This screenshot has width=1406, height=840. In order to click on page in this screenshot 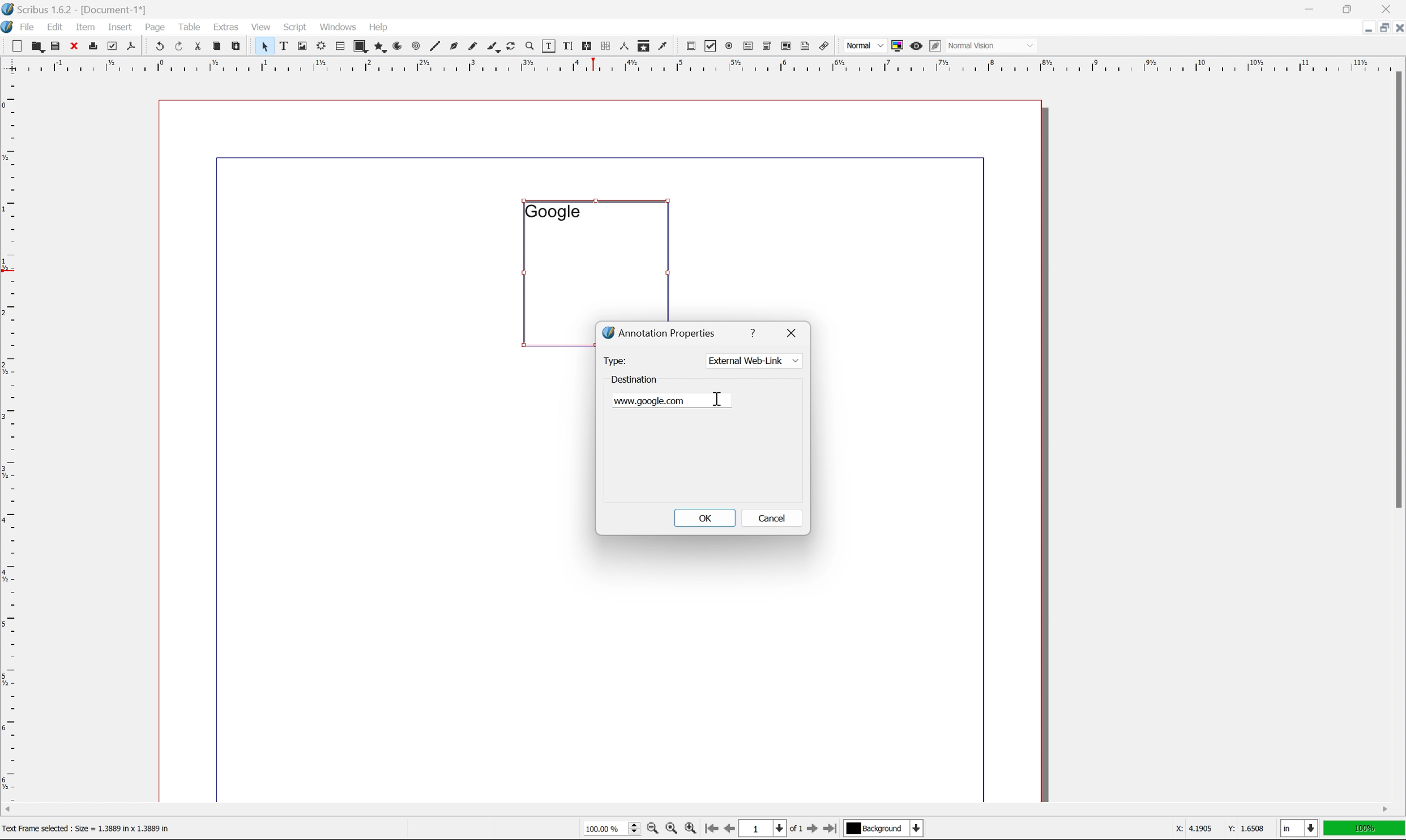, I will do `click(155, 27)`.